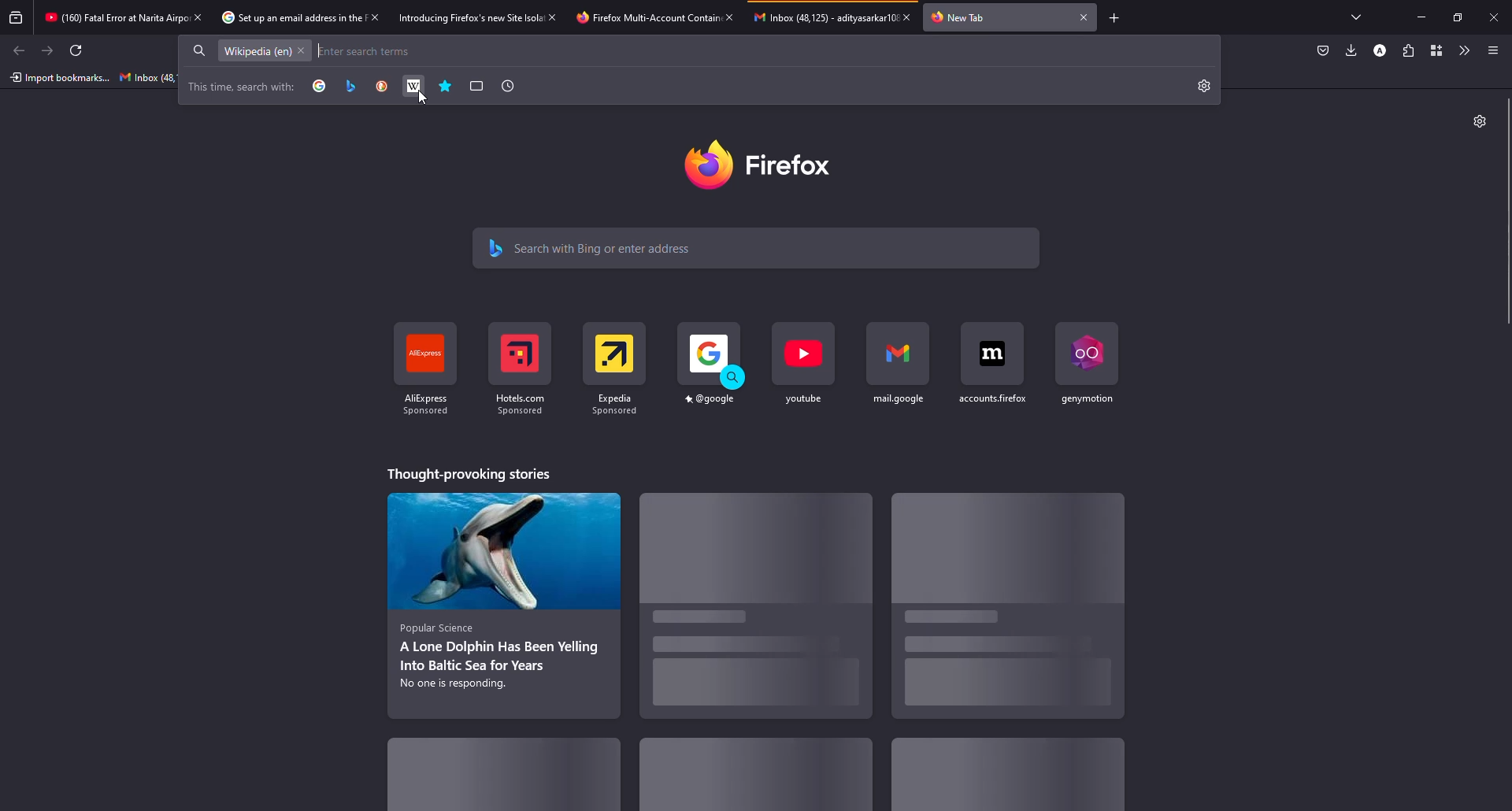  Describe the element at coordinates (1321, 51) in the screenshot. I see `save to packet` at that location.